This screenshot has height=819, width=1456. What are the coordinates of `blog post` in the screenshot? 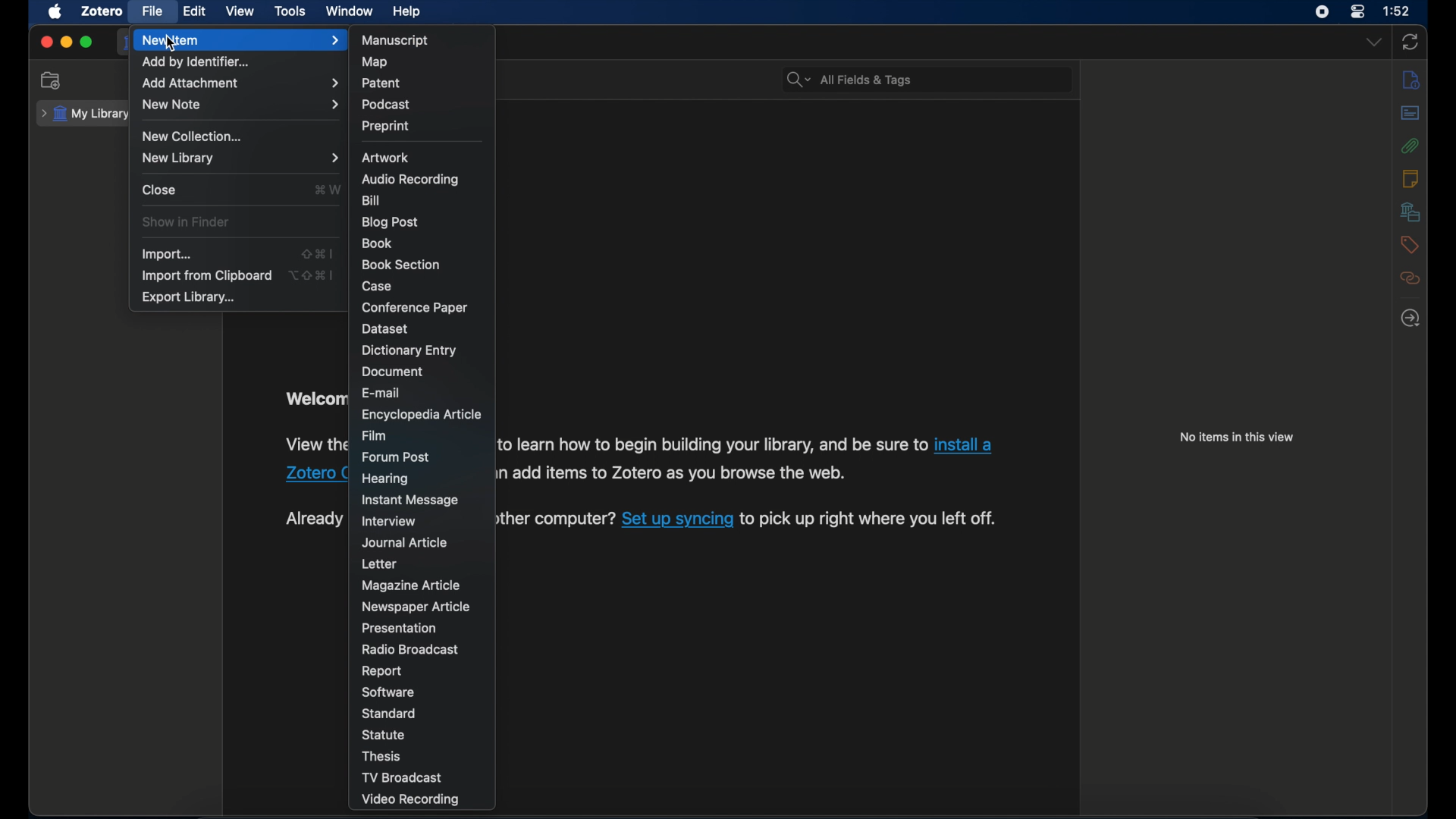 It's located at (390, 222).